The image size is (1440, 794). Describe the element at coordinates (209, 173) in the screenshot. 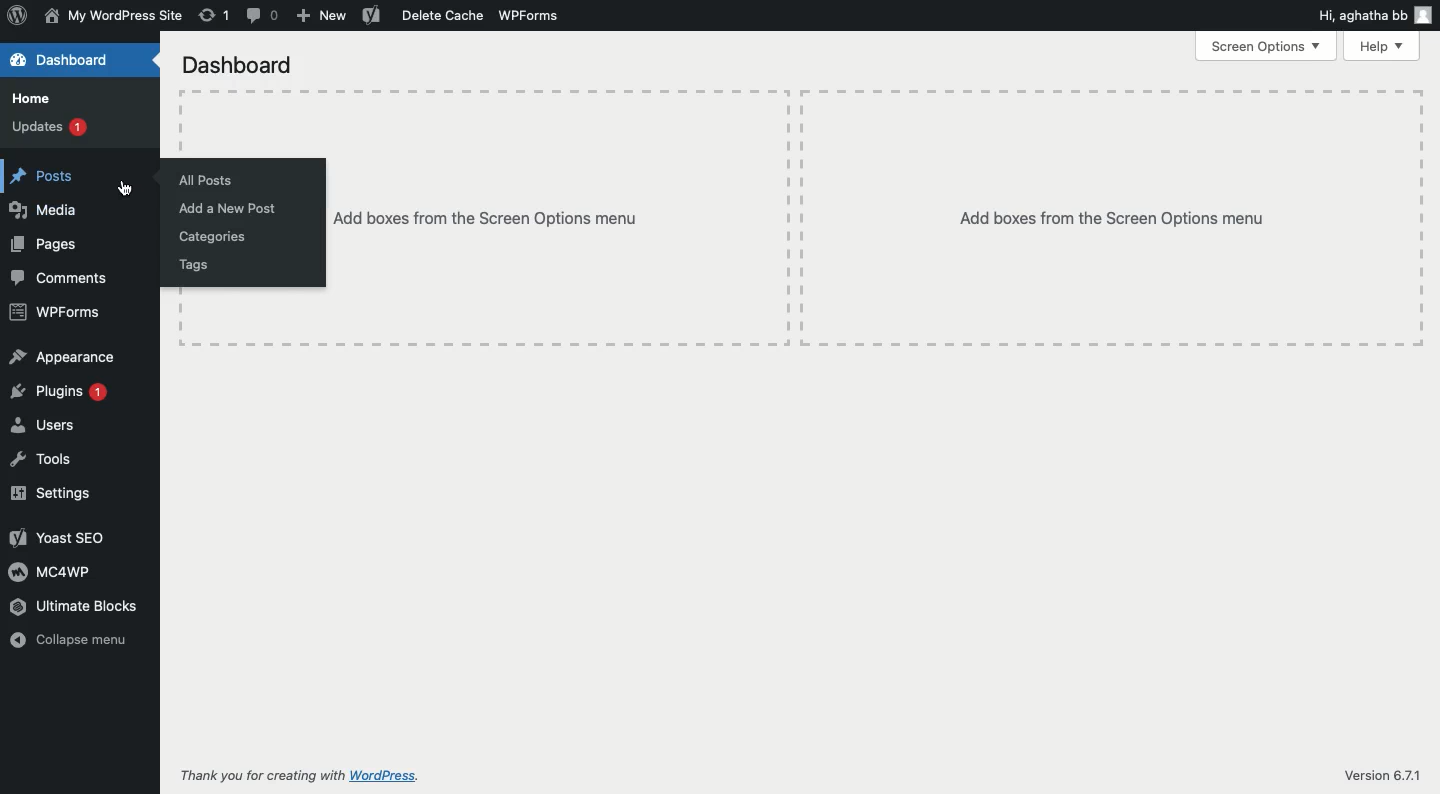

I see `All posts` at that location.